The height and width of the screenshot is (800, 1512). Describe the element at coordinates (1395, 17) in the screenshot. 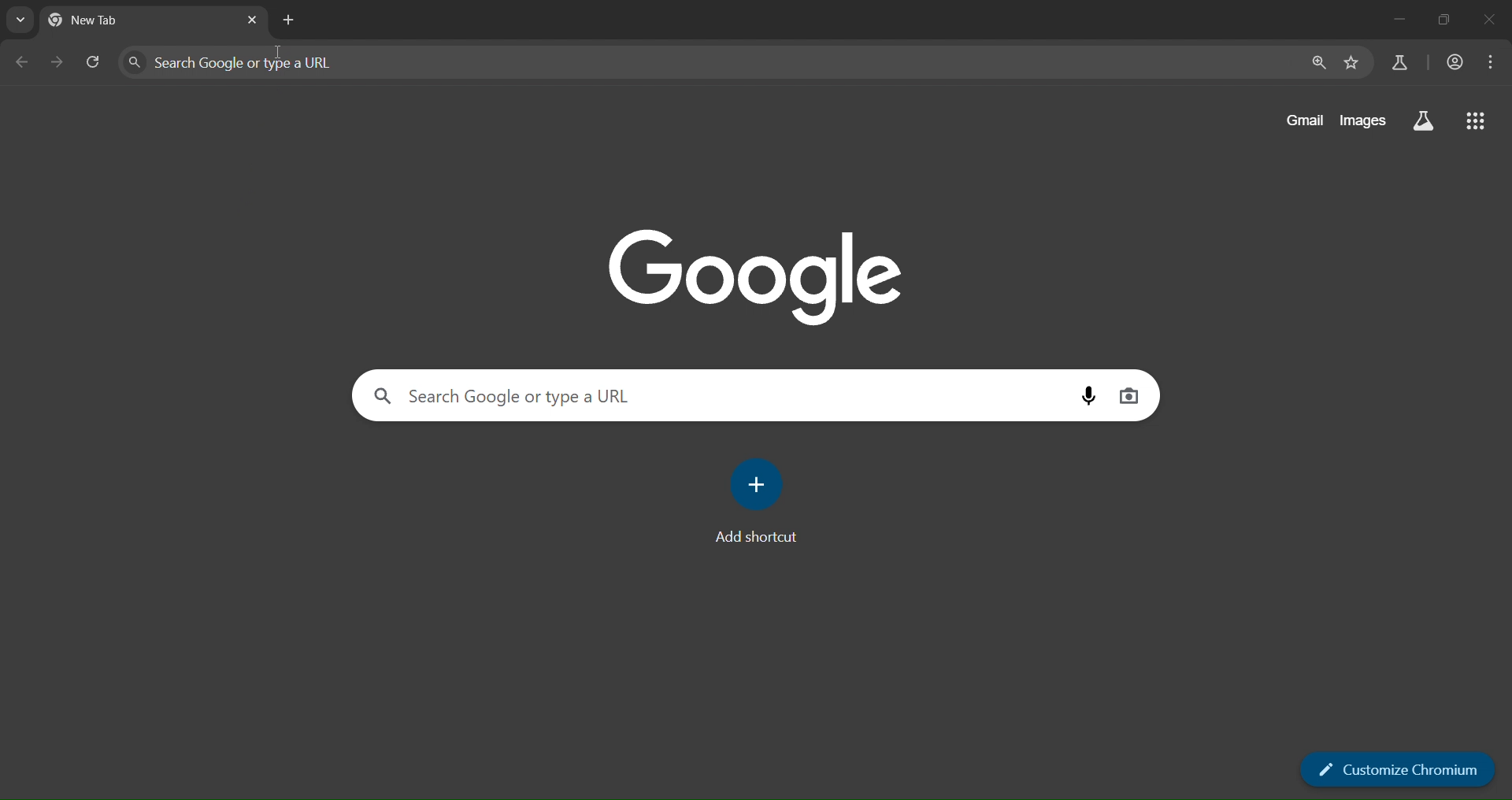

I see `minimize` at that location.